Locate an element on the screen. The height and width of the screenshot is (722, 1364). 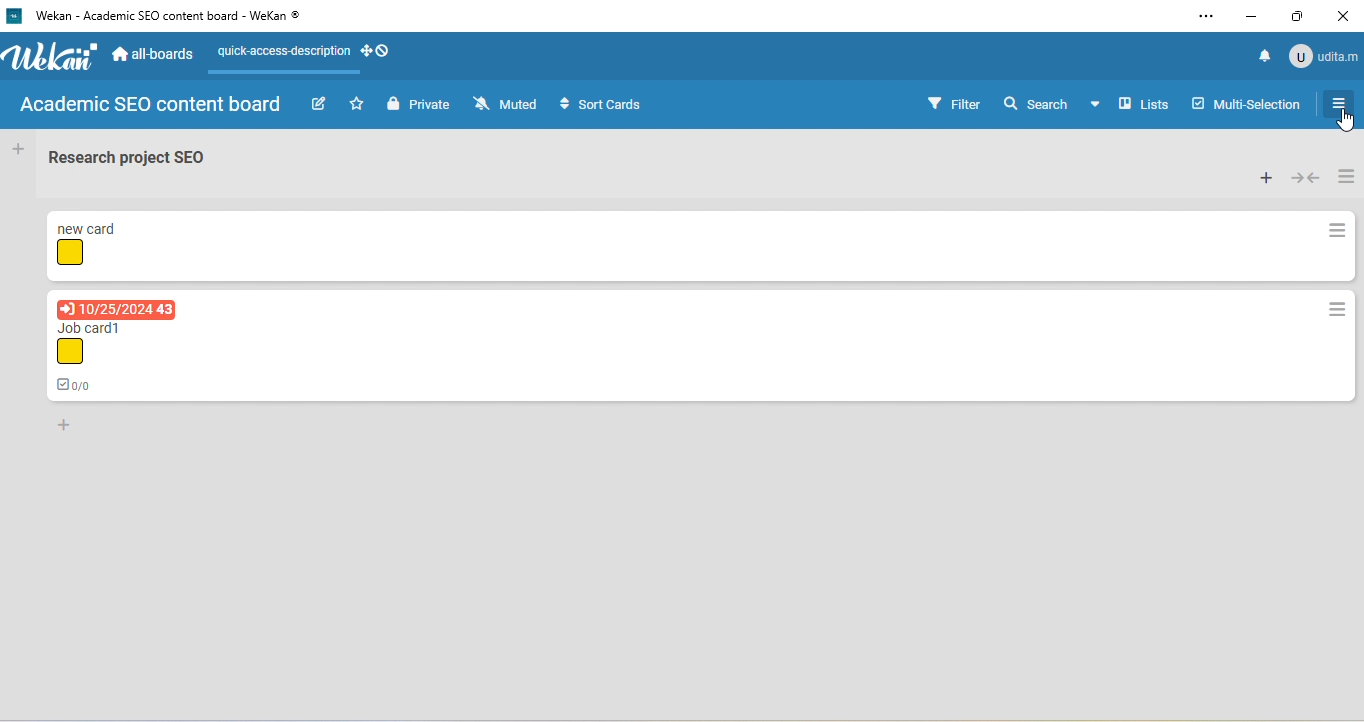
search is located at coordinates (1052, 107).